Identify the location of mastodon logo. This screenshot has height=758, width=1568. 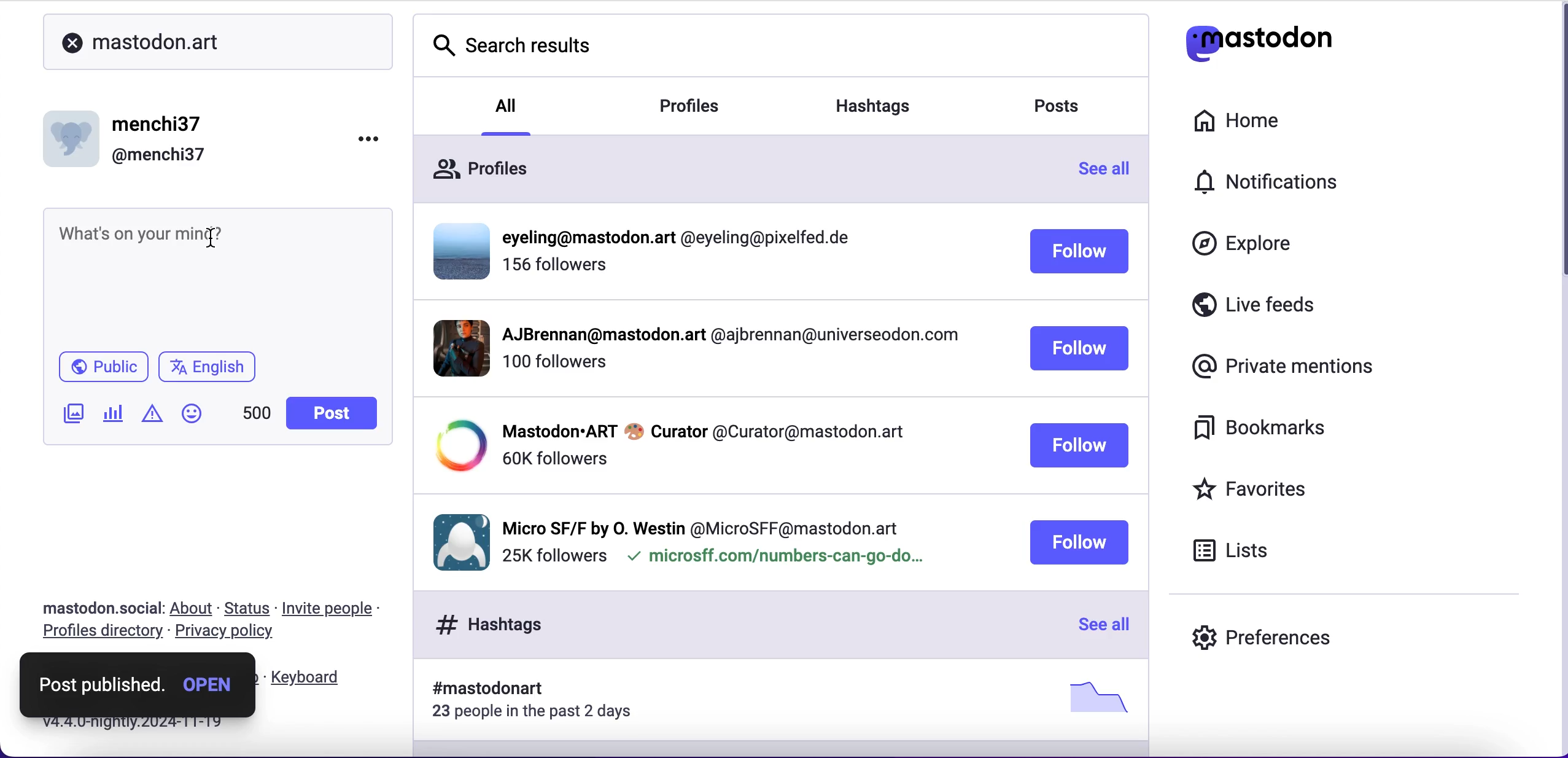
(1282, 44).